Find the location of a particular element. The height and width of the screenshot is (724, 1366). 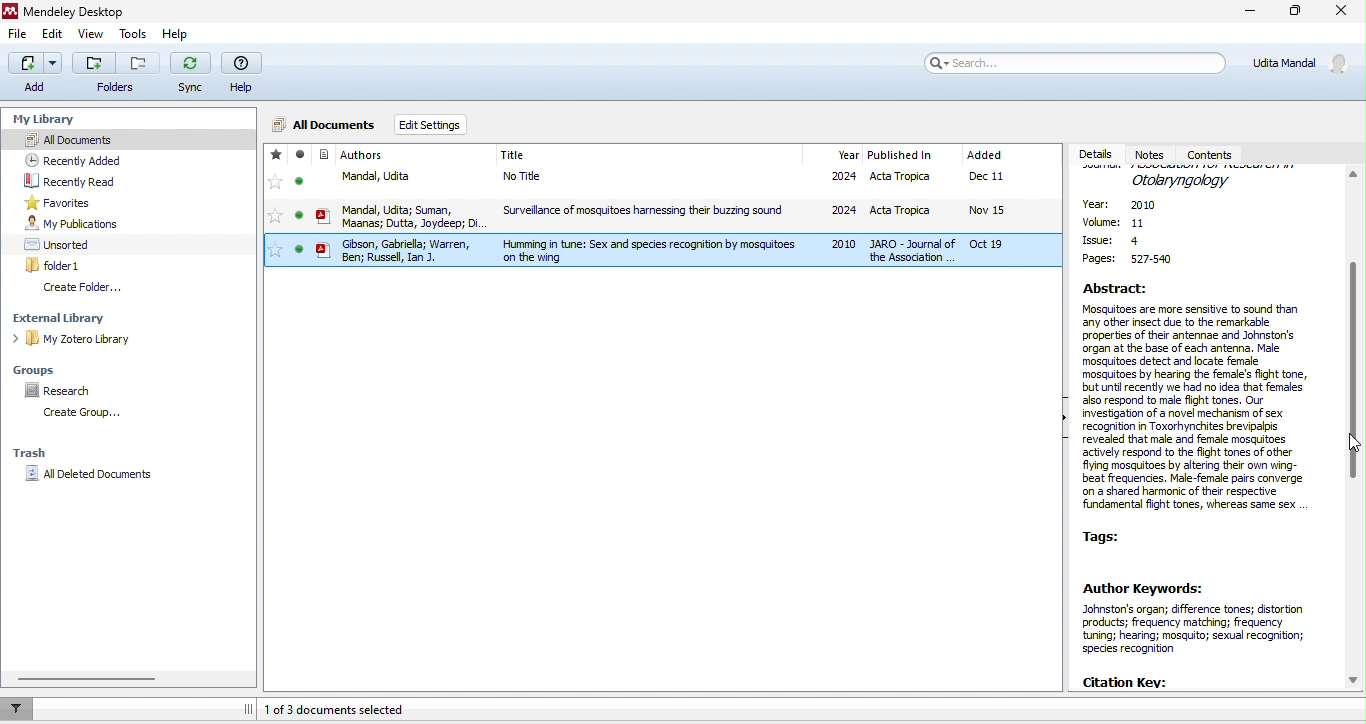

file is located at coordinates (699, 214).